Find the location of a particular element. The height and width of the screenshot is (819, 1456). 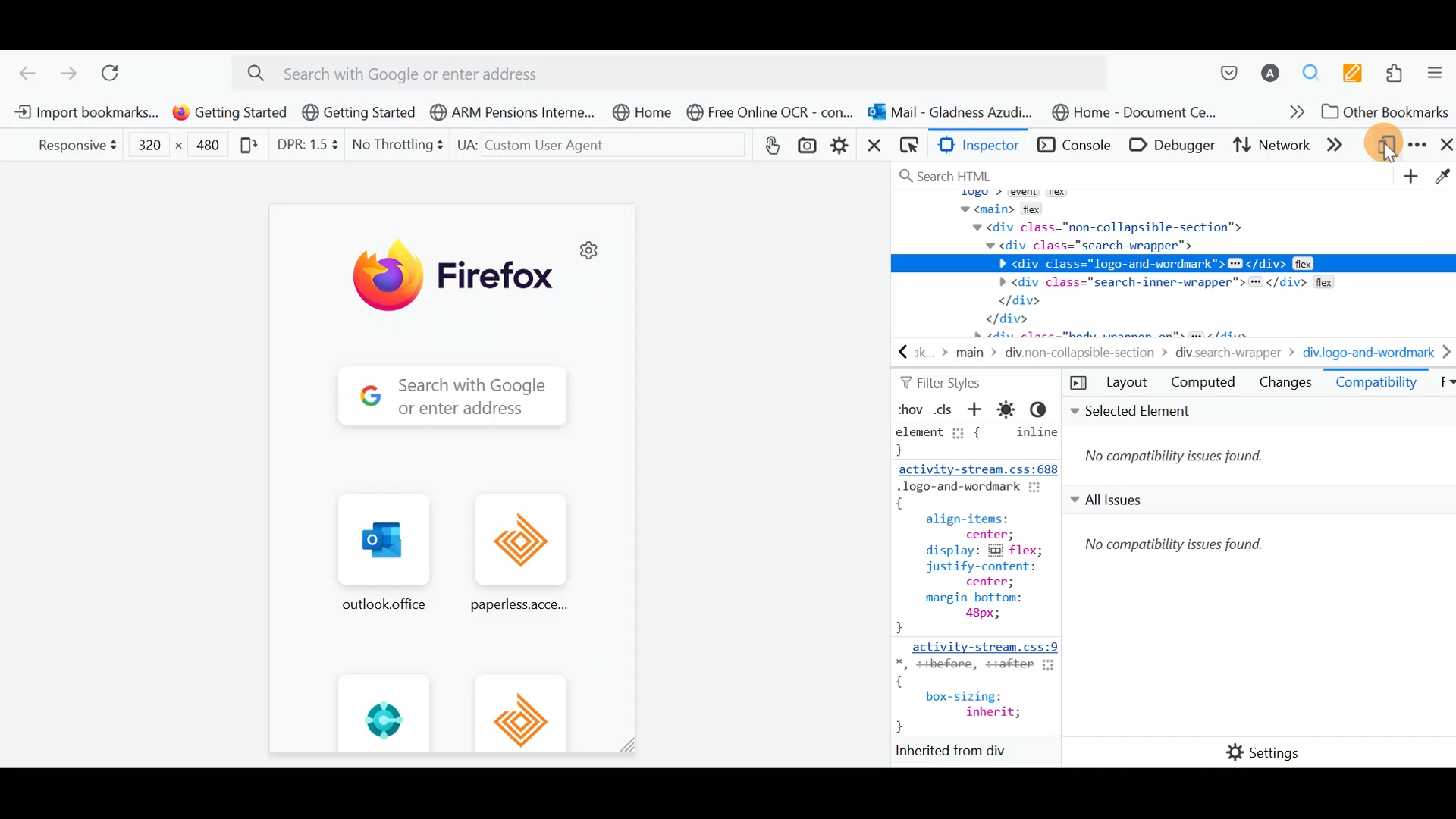

rotate is located at coordinates (246, 149).